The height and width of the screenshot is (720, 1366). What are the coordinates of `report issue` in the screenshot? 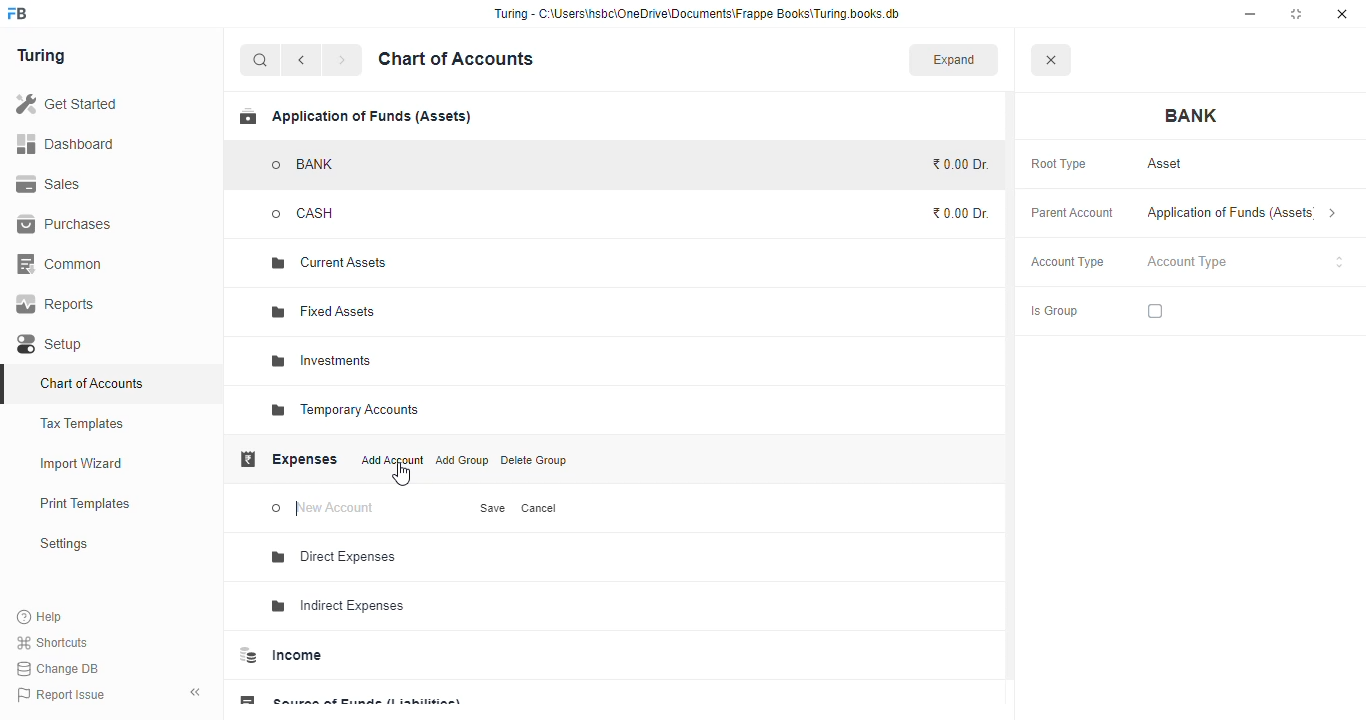 It's located at (60, 694).